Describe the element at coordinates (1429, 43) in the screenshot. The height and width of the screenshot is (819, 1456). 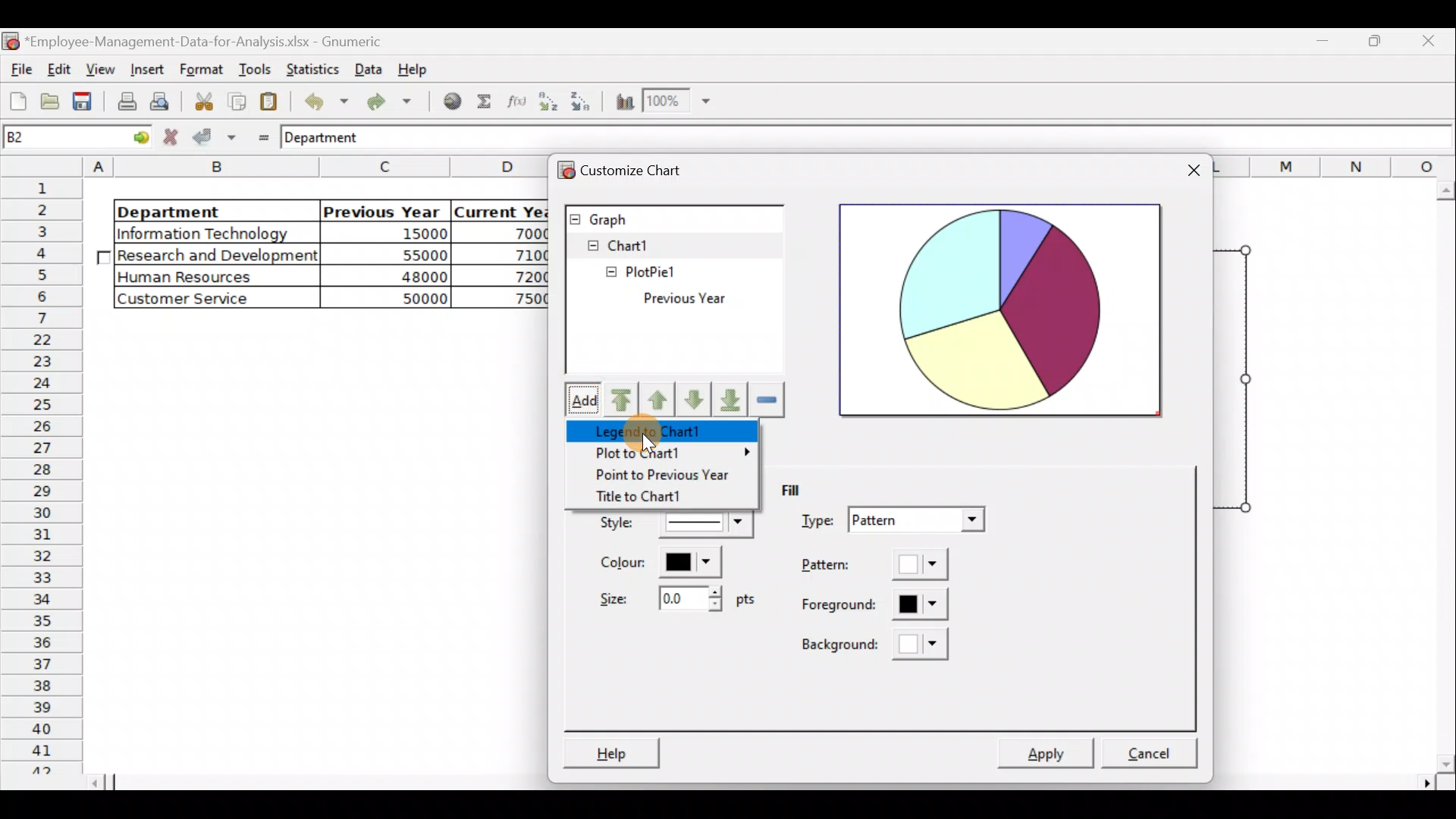
I see `Close` at that location.